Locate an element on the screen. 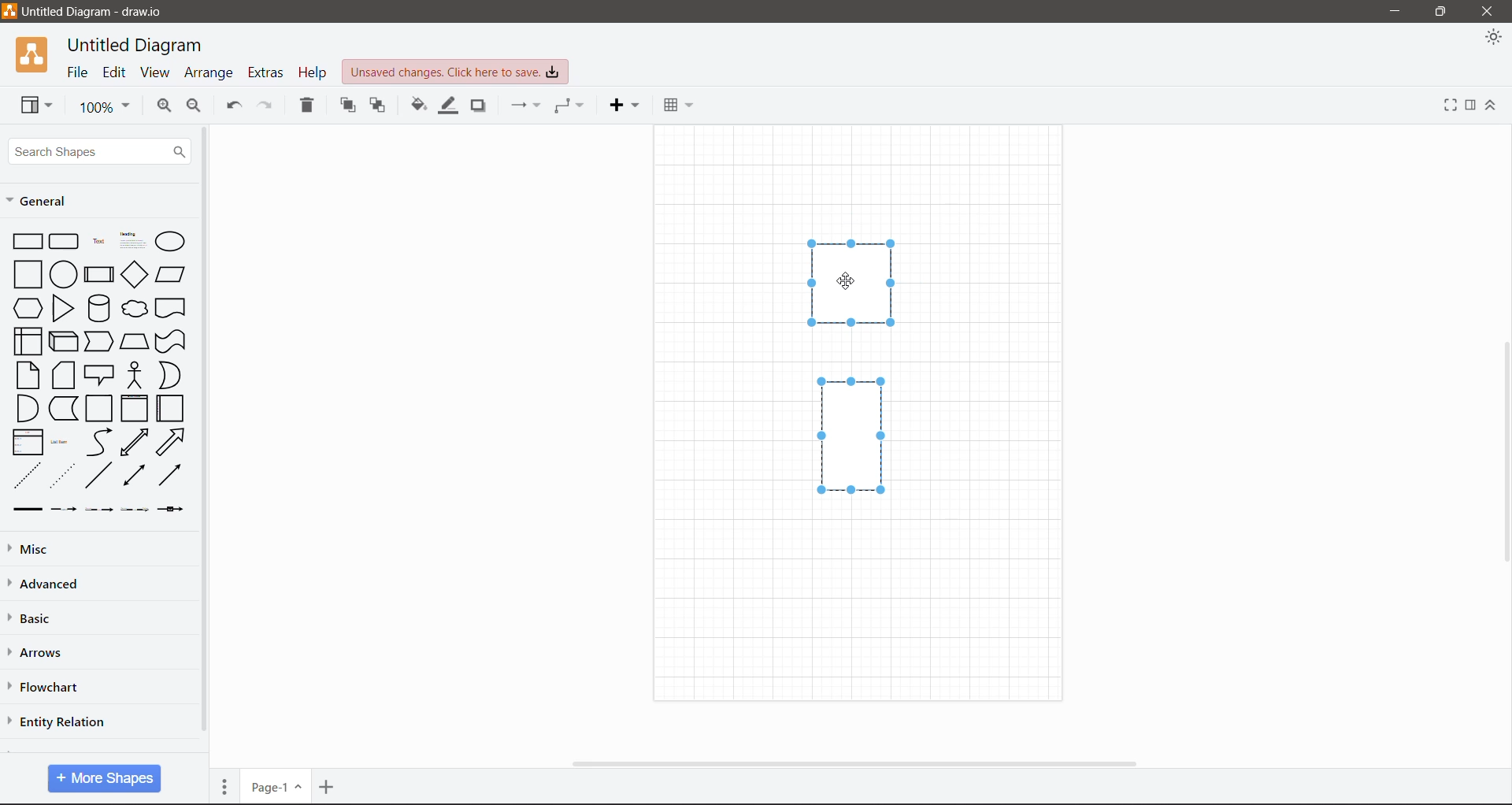 The width and height of the screenshot is (1512, 805). Shapes available in General is located at coordinates (96, 372).